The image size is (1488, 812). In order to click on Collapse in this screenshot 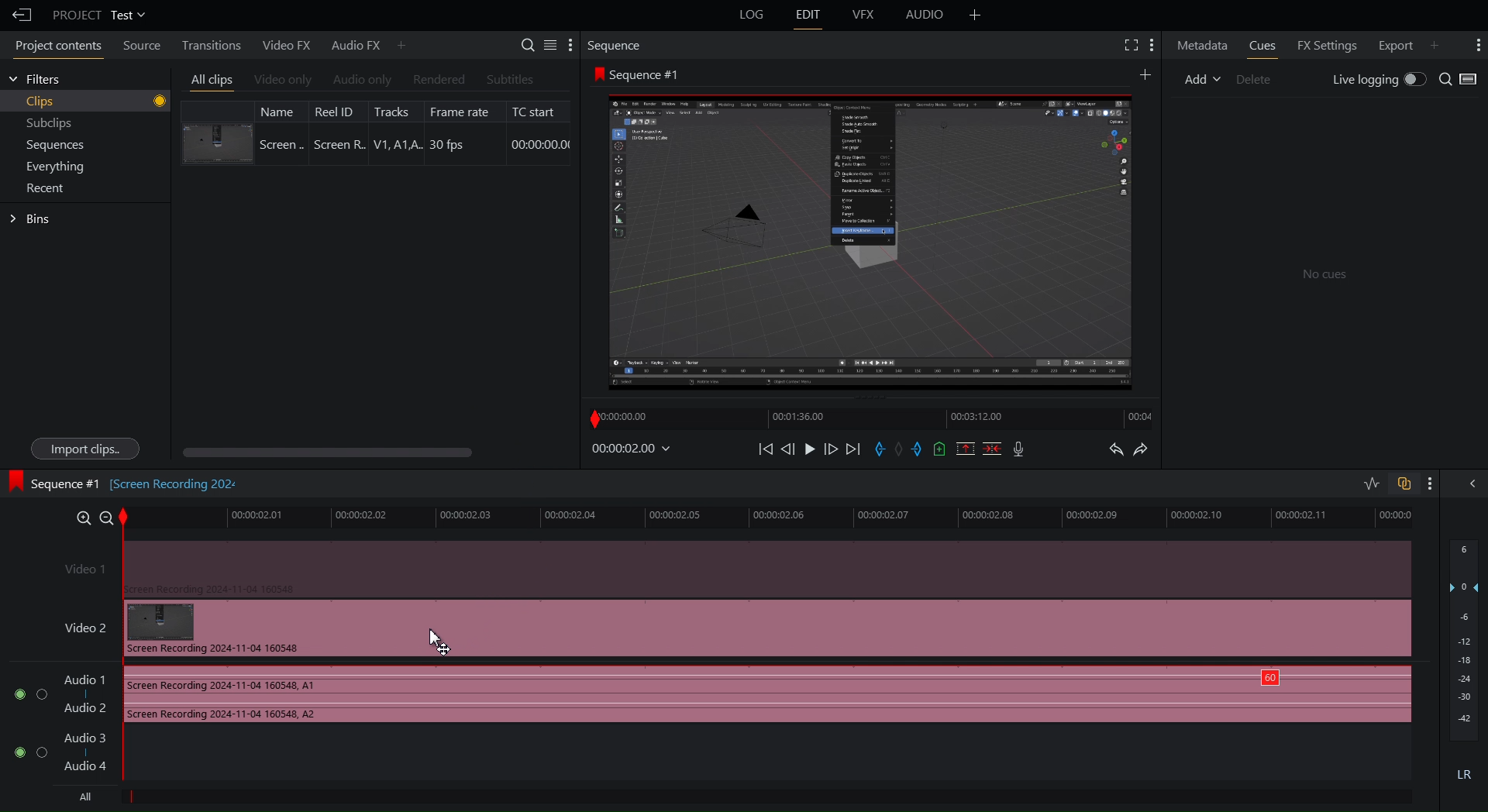, I will do `click(1469, 483)`.